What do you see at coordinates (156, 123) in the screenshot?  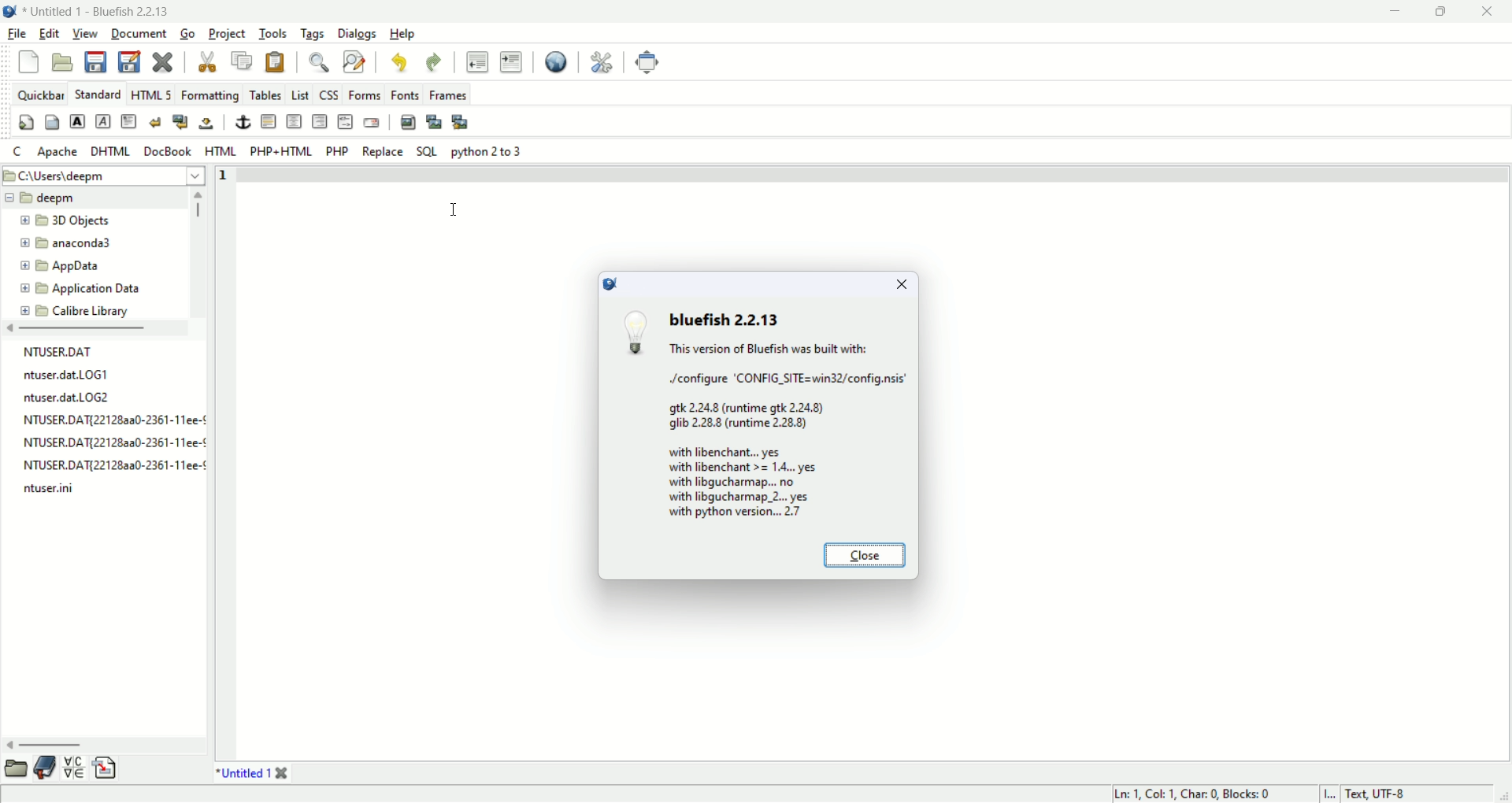 I see `break` at bounding box center [156, 123].